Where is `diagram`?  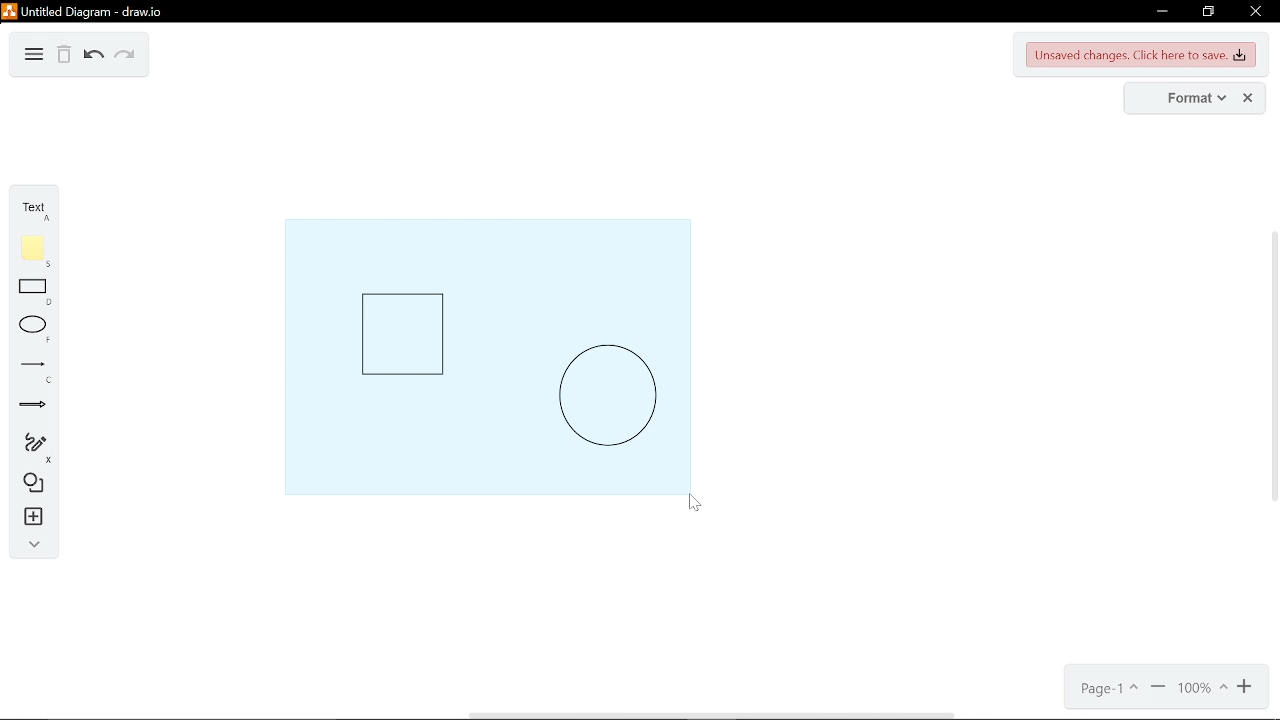 diagram is located at coordinates (34, 56).